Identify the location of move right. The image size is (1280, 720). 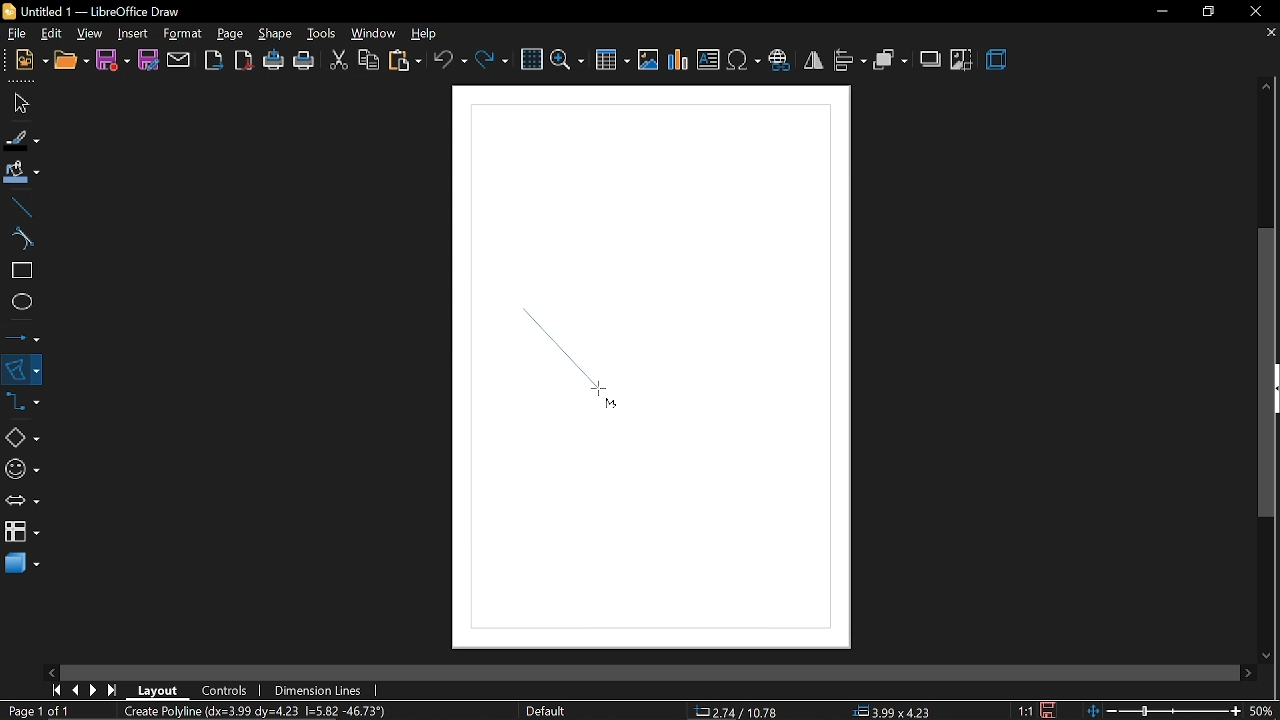
(1245, 670).